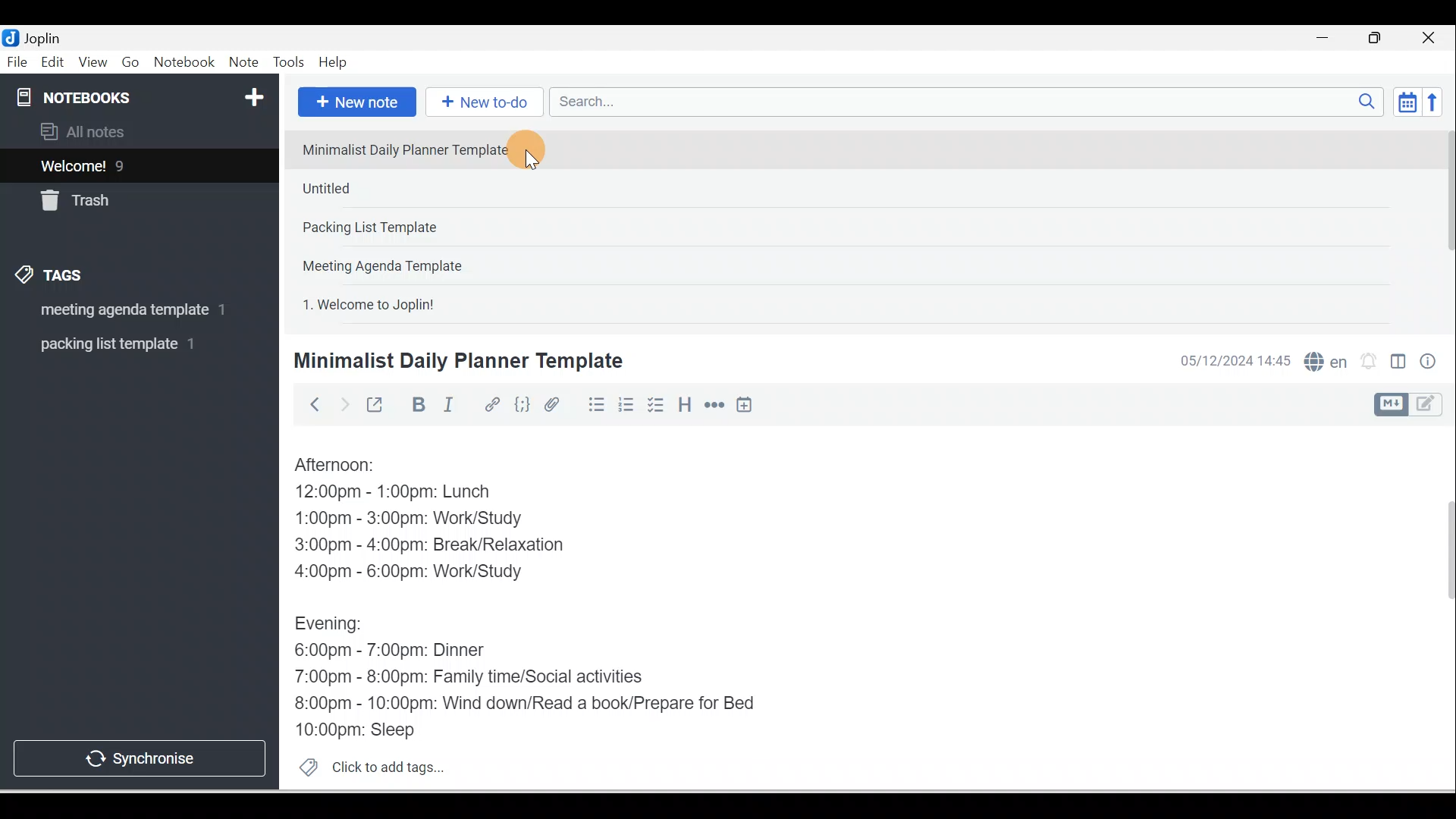  I want to click on Notes, so click(128, 162).